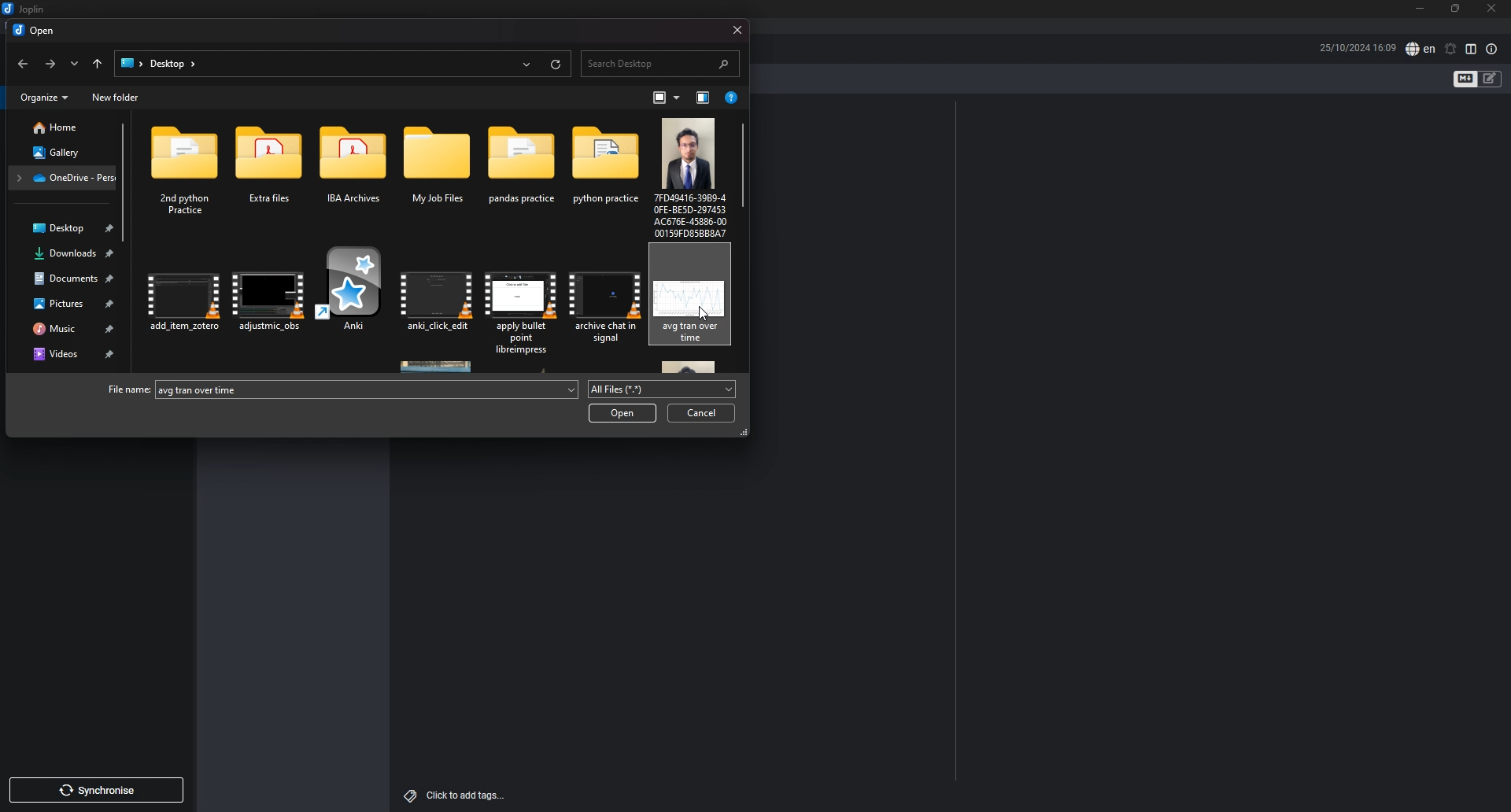  Describe the element at coordinates (371, 391) in the screenshot. I see `avg.tran over time` at that location.